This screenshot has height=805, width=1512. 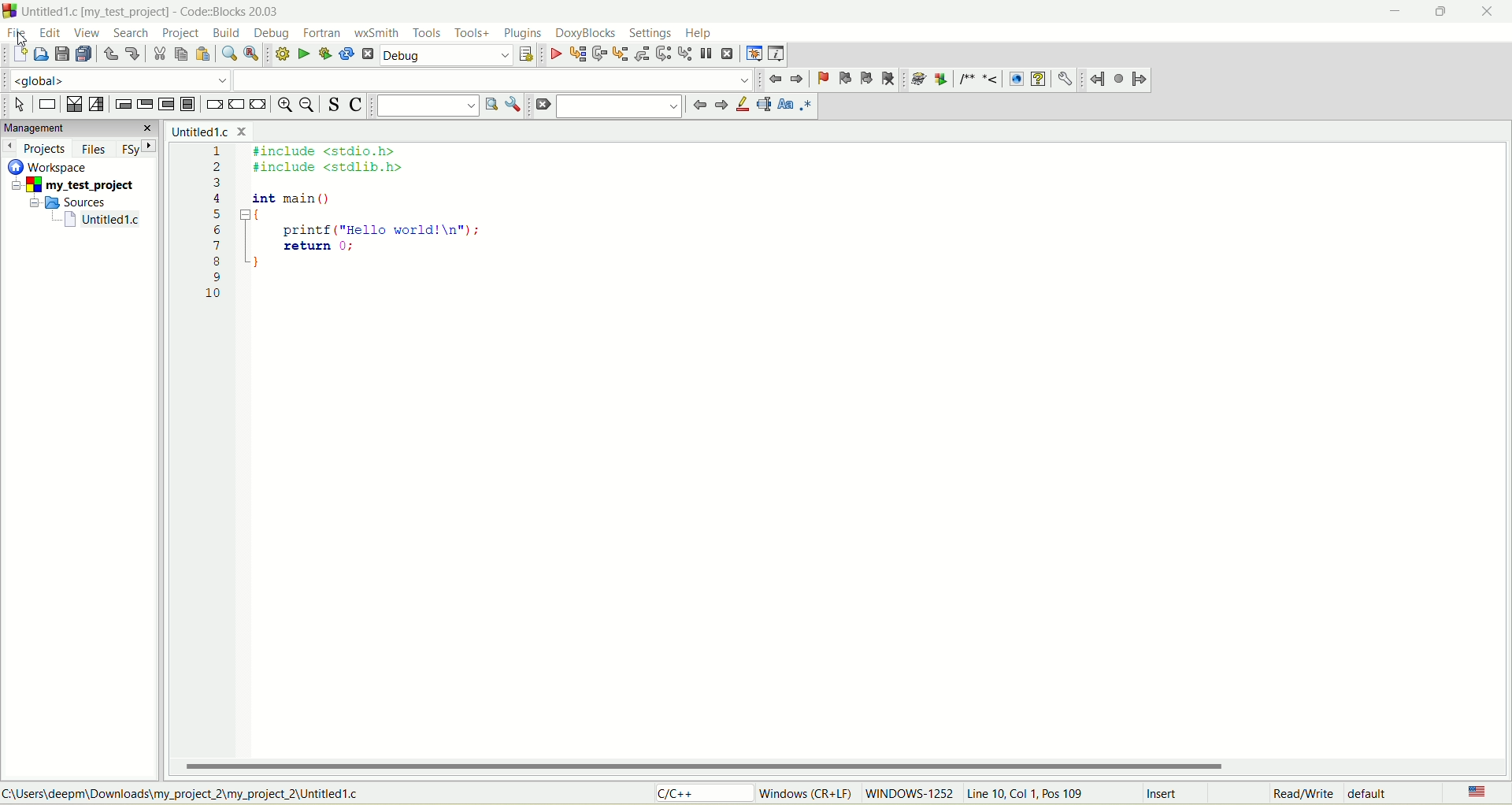 I want to click on C/C++, so click(x=706, y=794).